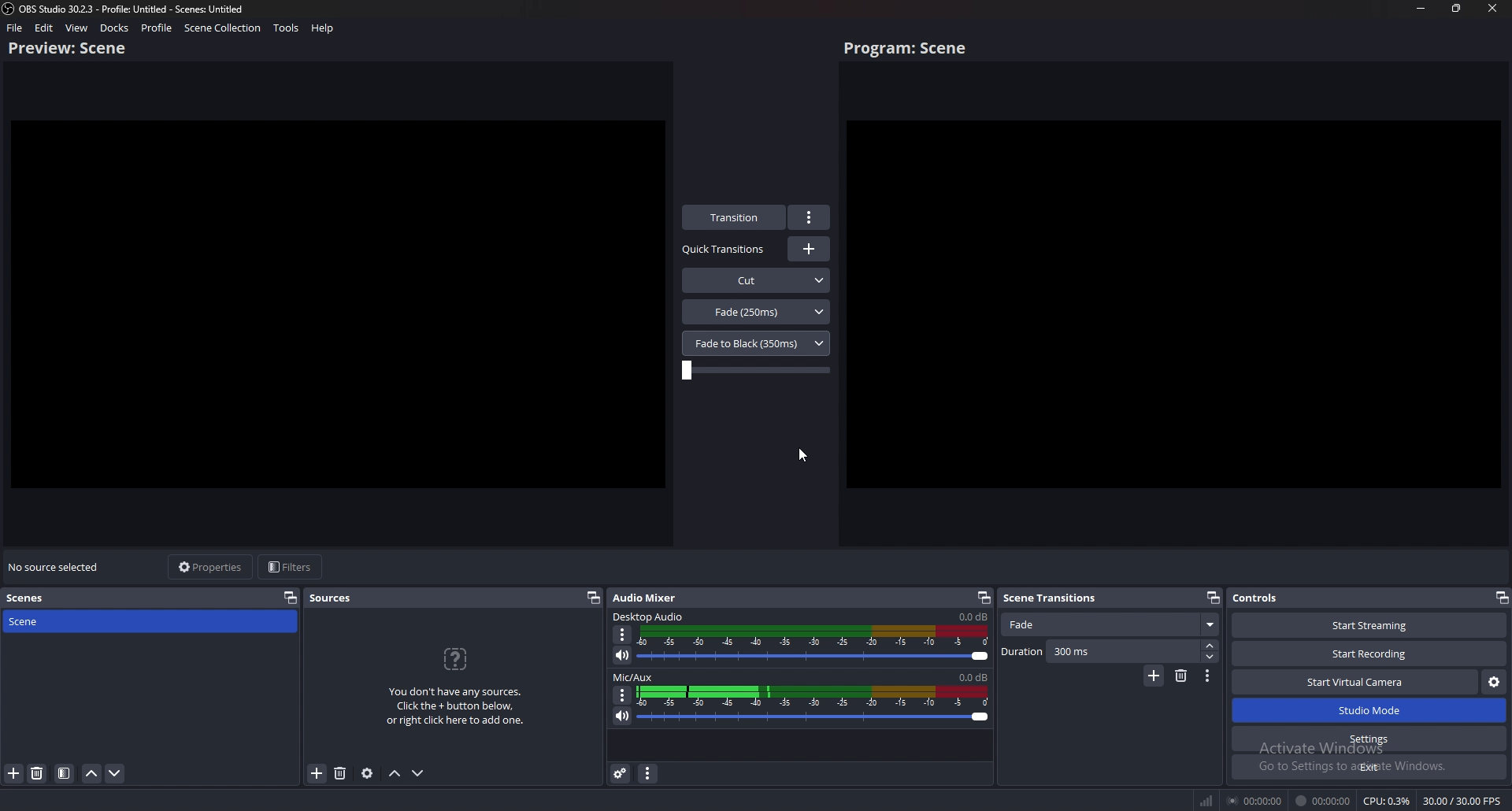 This screenshot has height=811, width=1512. Describe the element at coordinates (55, 567) in the screenshot. I see `no source selected` at that location.